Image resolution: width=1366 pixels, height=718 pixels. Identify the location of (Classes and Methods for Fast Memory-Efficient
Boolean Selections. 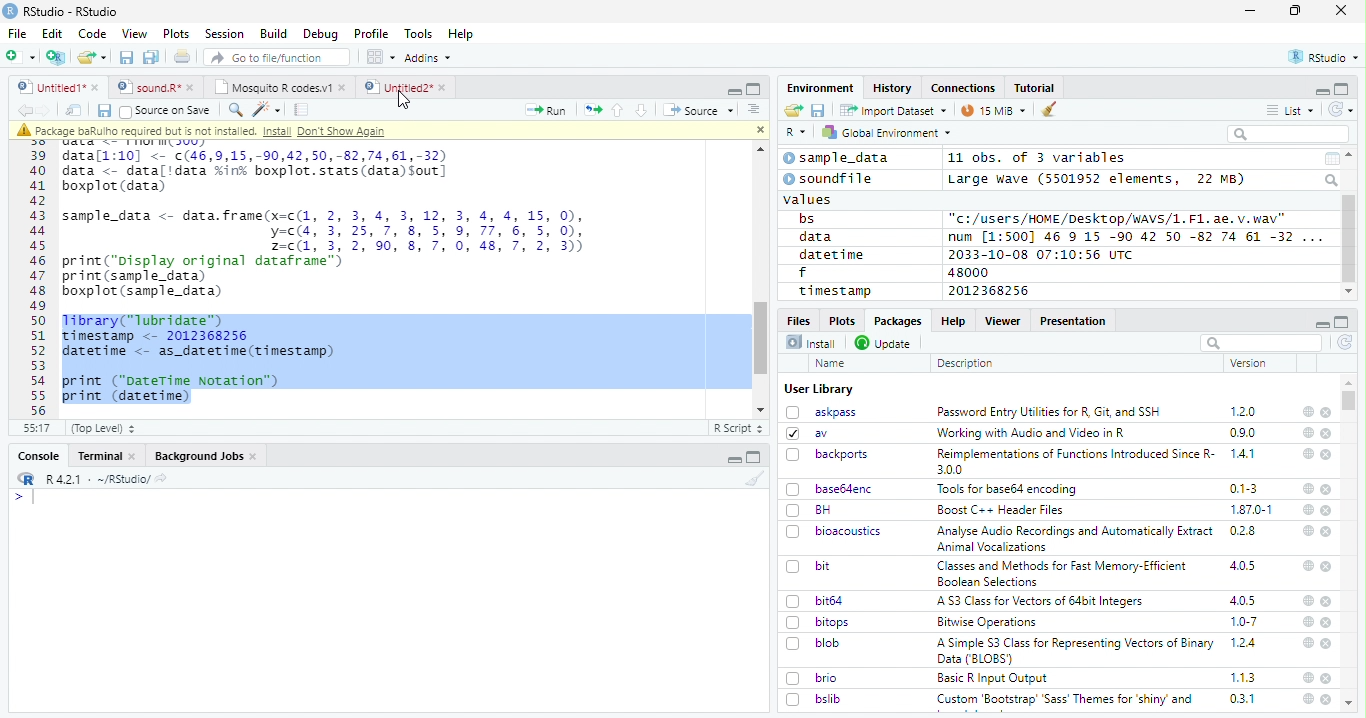
(1064, 573).